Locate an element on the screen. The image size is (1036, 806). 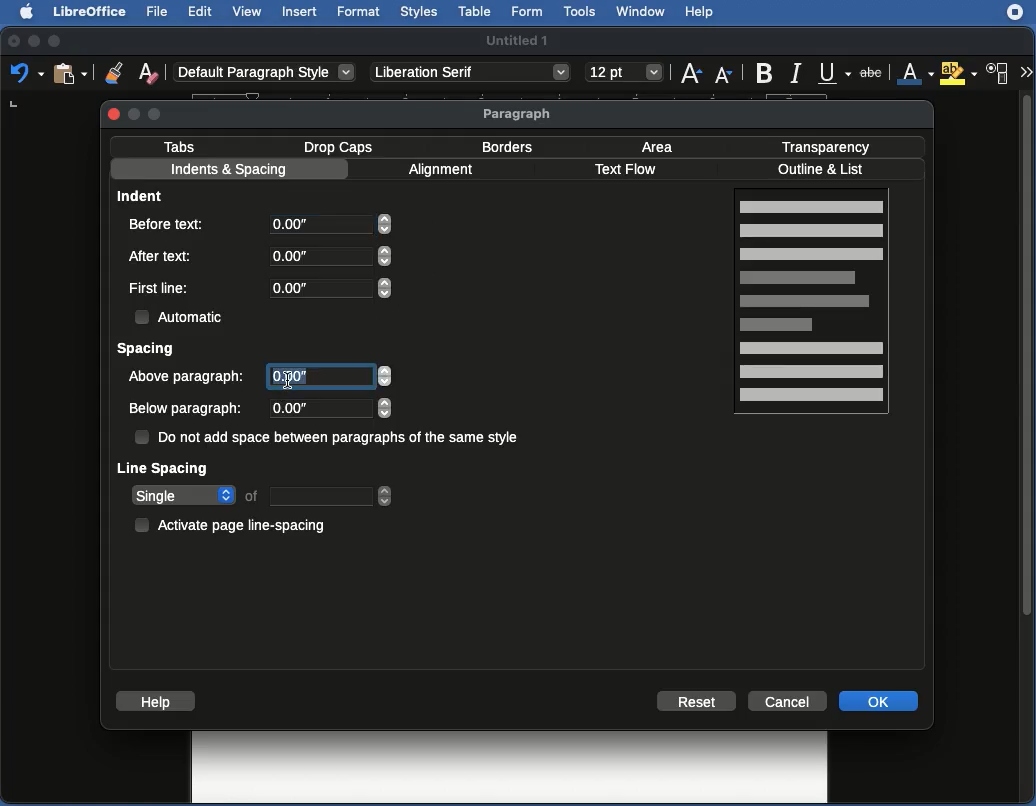
Untitled 1 is located at coordinates (519, 39).